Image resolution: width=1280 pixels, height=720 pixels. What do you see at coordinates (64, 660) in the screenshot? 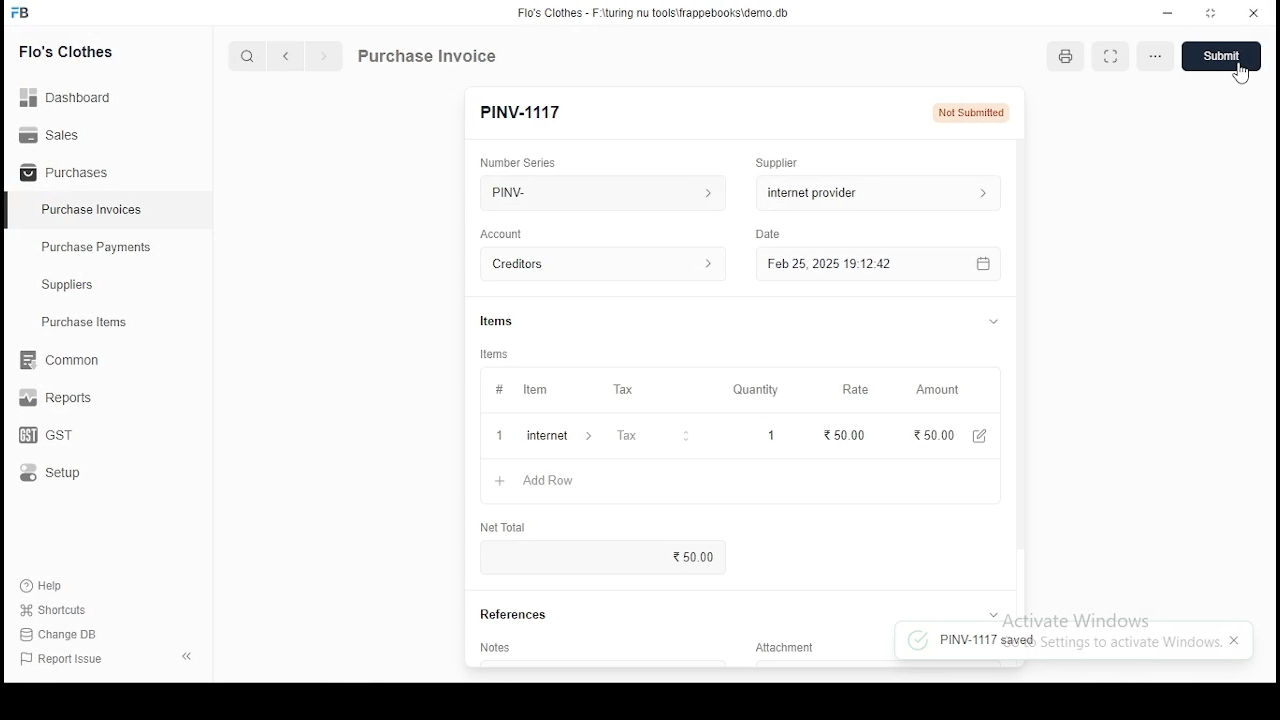
I see `report issue` at bounding box center [64, 660].